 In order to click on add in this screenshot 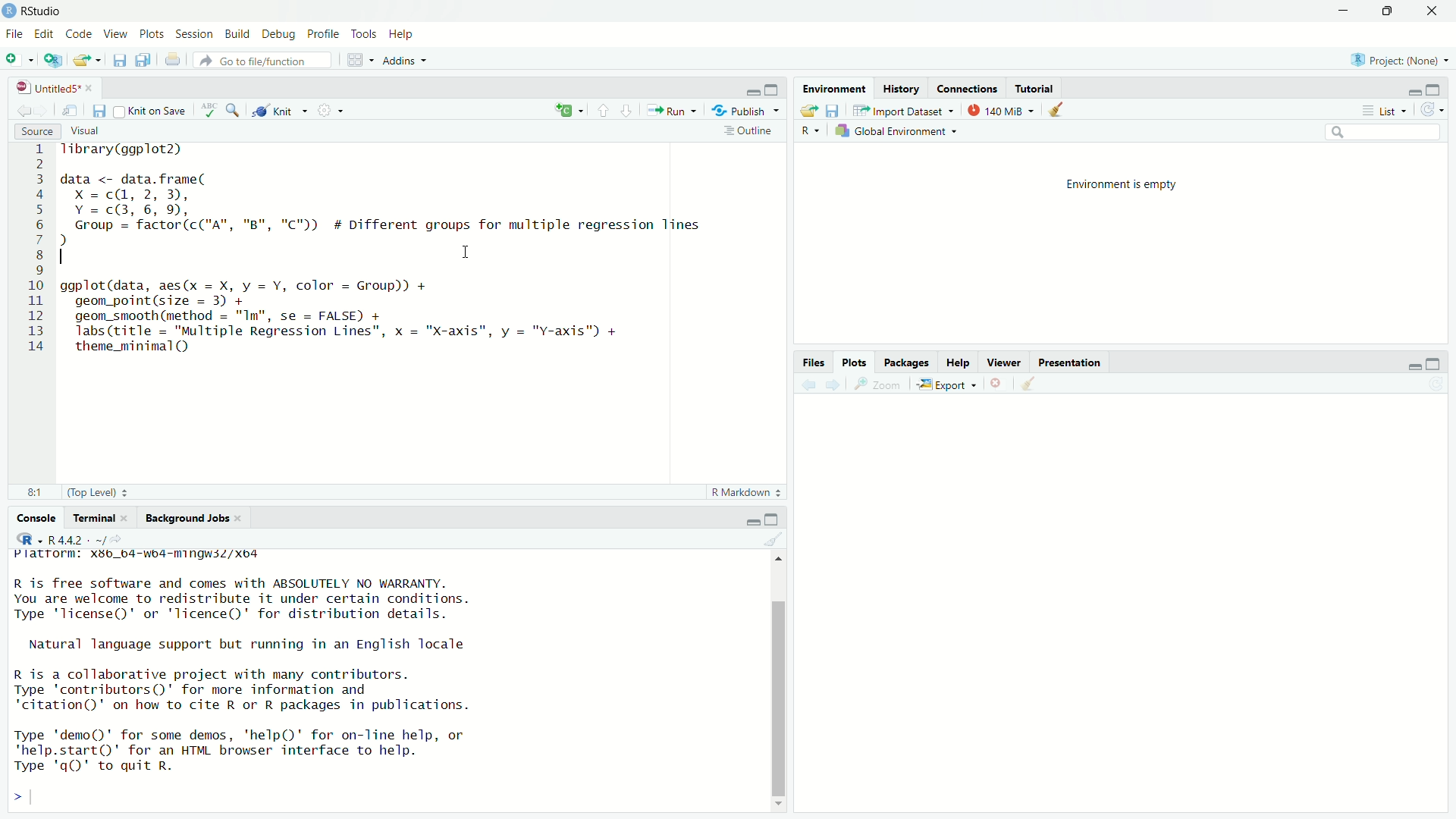, I will do `click(570, 109)`.